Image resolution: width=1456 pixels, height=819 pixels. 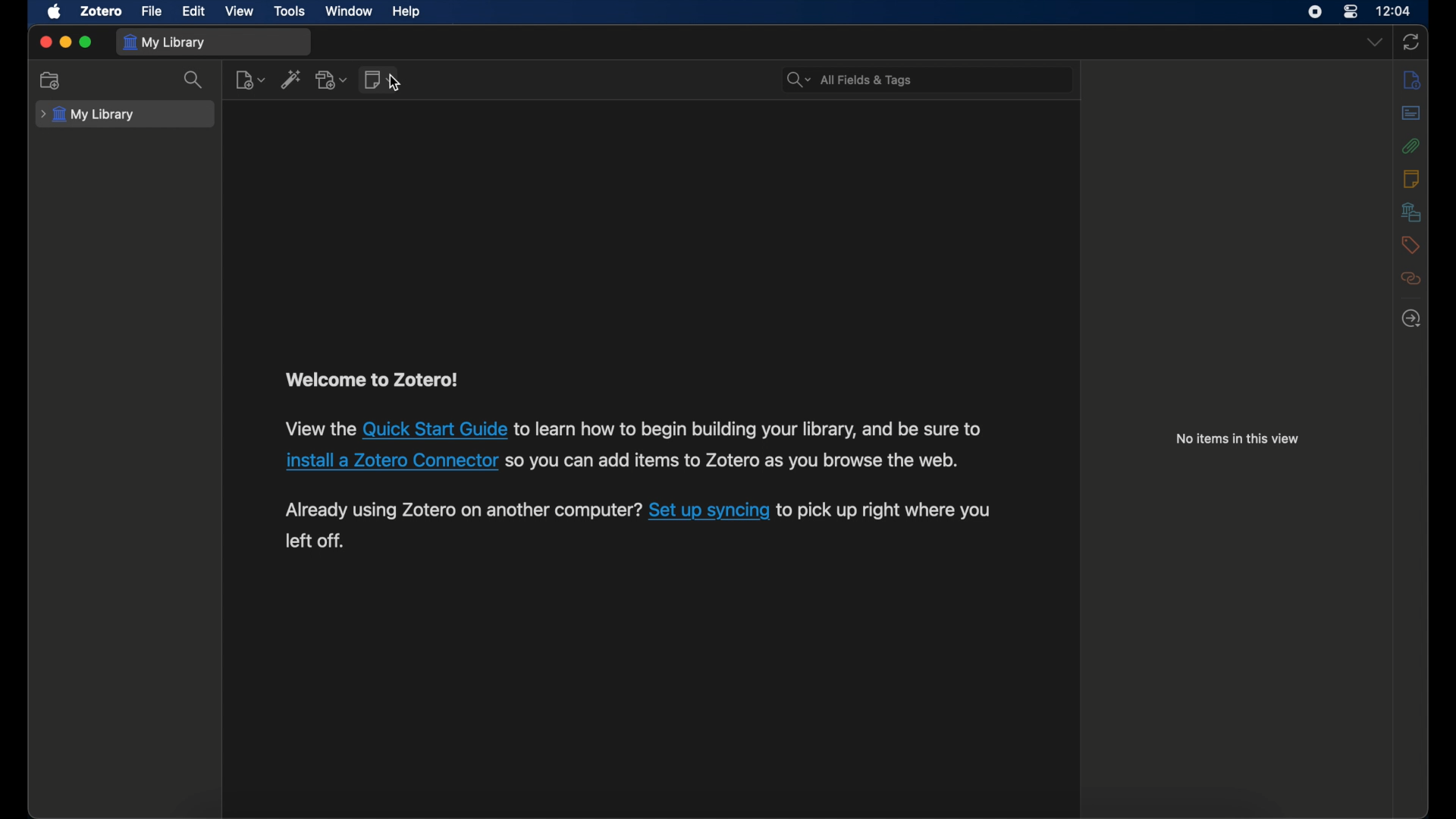 I want to click on zotero, so click(x=101, y=11).